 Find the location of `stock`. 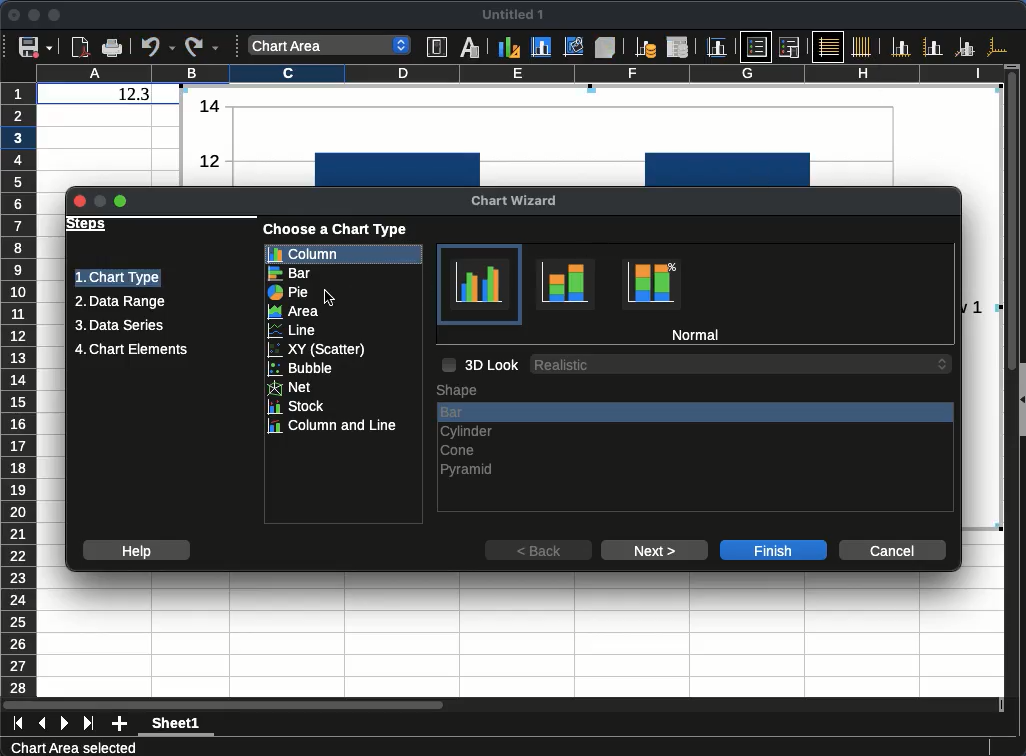

stock is located at coordinates (344, 407).